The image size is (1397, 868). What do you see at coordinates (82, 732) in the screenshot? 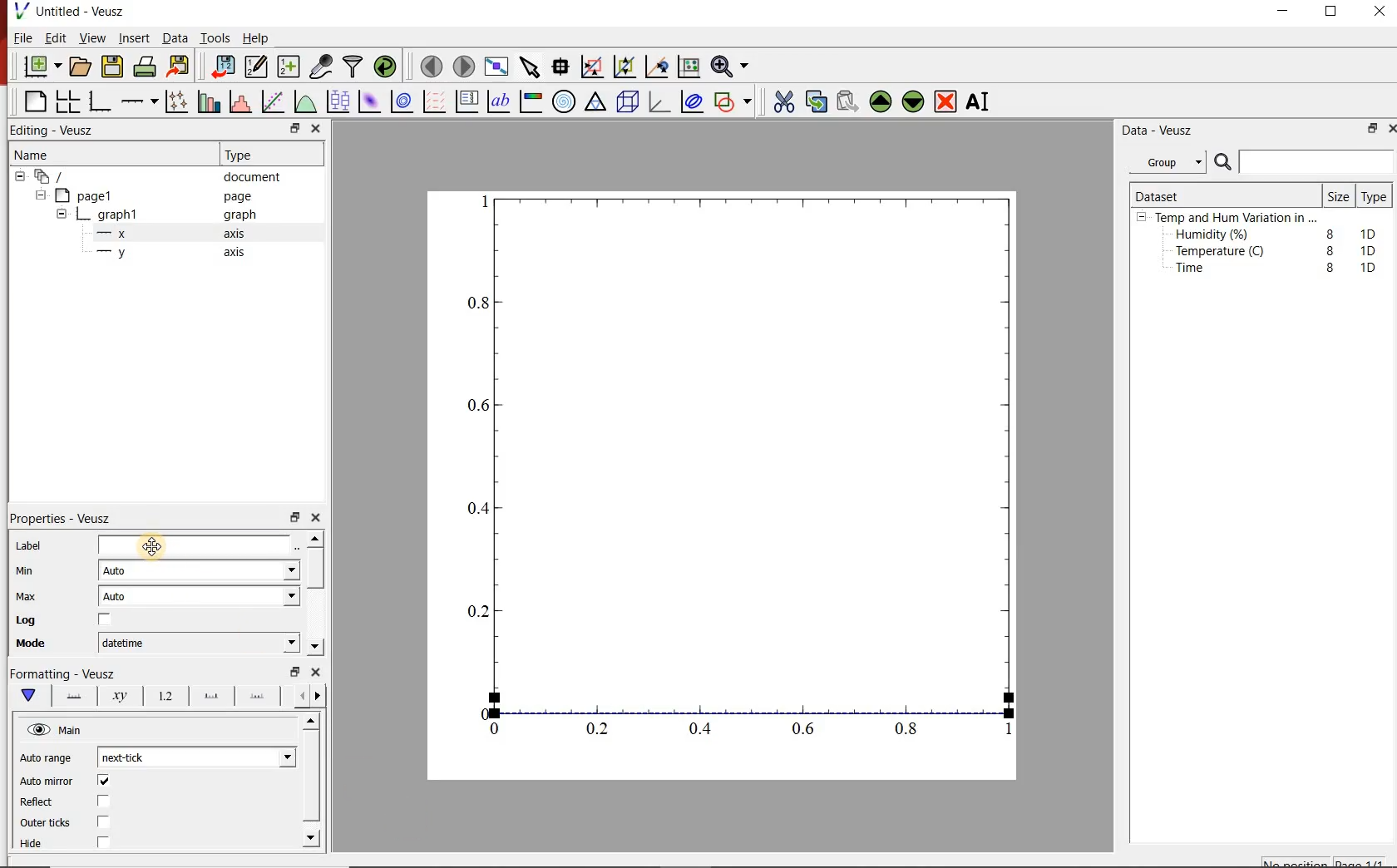
I see `Main` at bounding box center [82, 732].